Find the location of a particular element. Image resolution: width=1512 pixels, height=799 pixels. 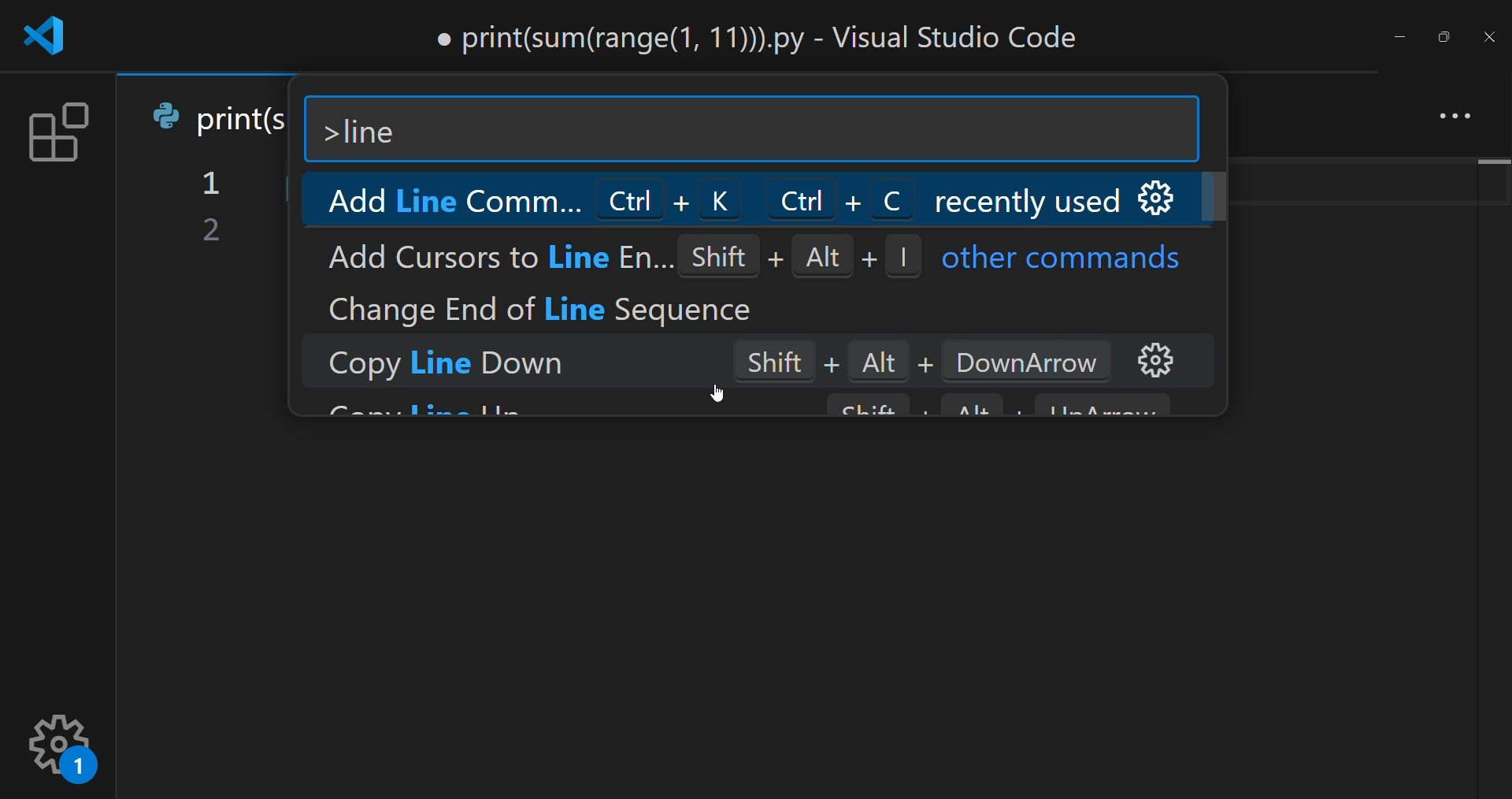

logo is located at coordinates (51, 36).